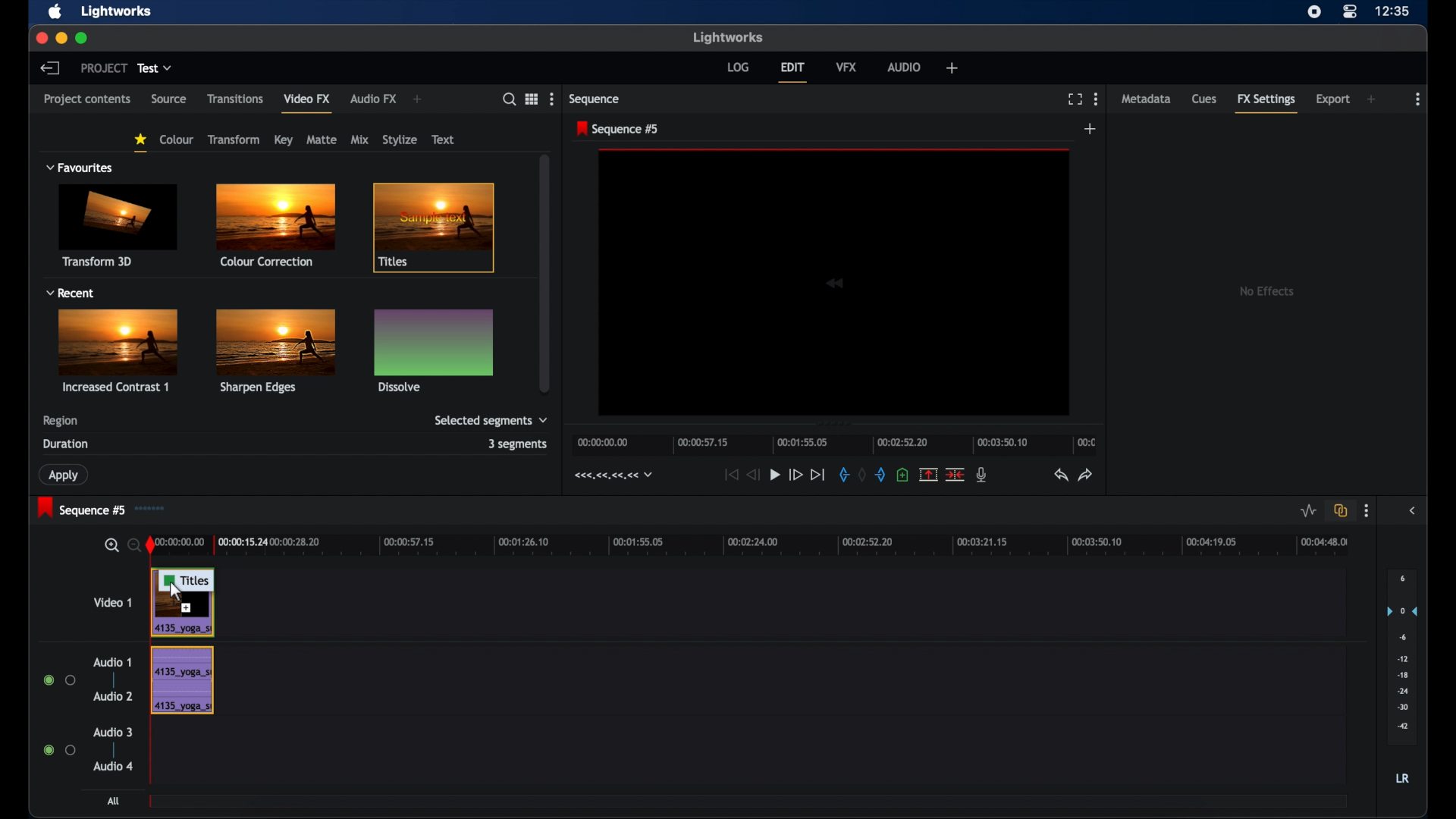 This screenshot has width=1456, height=819. What do you see at coordinates (112, 663) in the screenshot?
I see `audio 1` at bounding box center [112, 663].